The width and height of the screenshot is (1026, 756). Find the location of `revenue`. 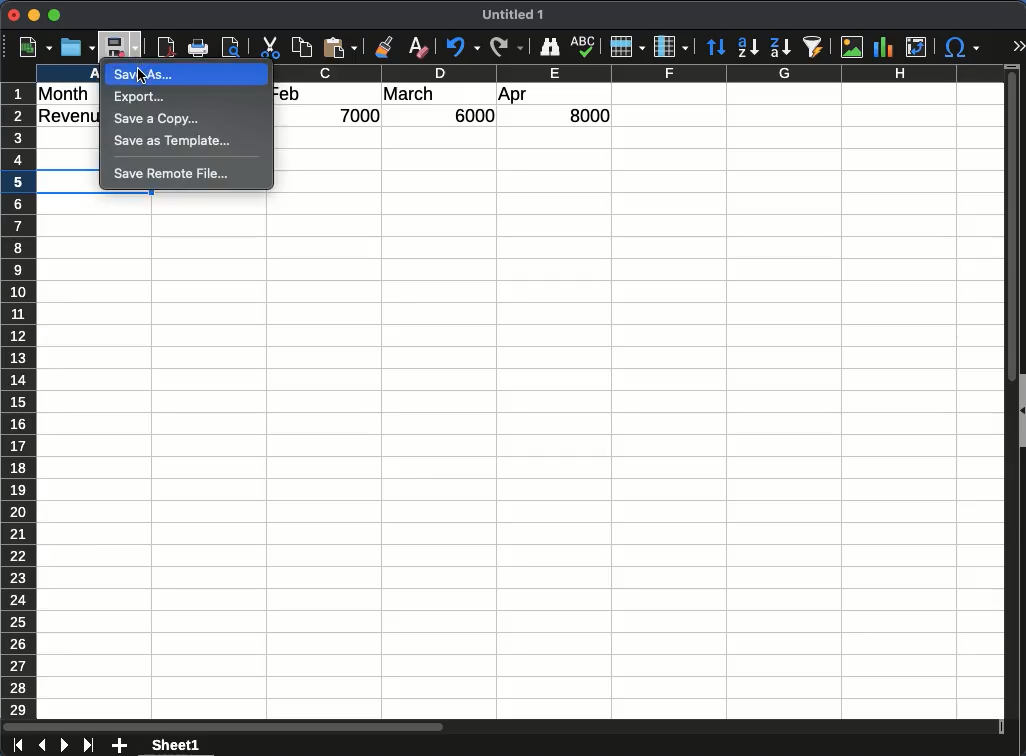

revenue is located at coordinates (69, 116).